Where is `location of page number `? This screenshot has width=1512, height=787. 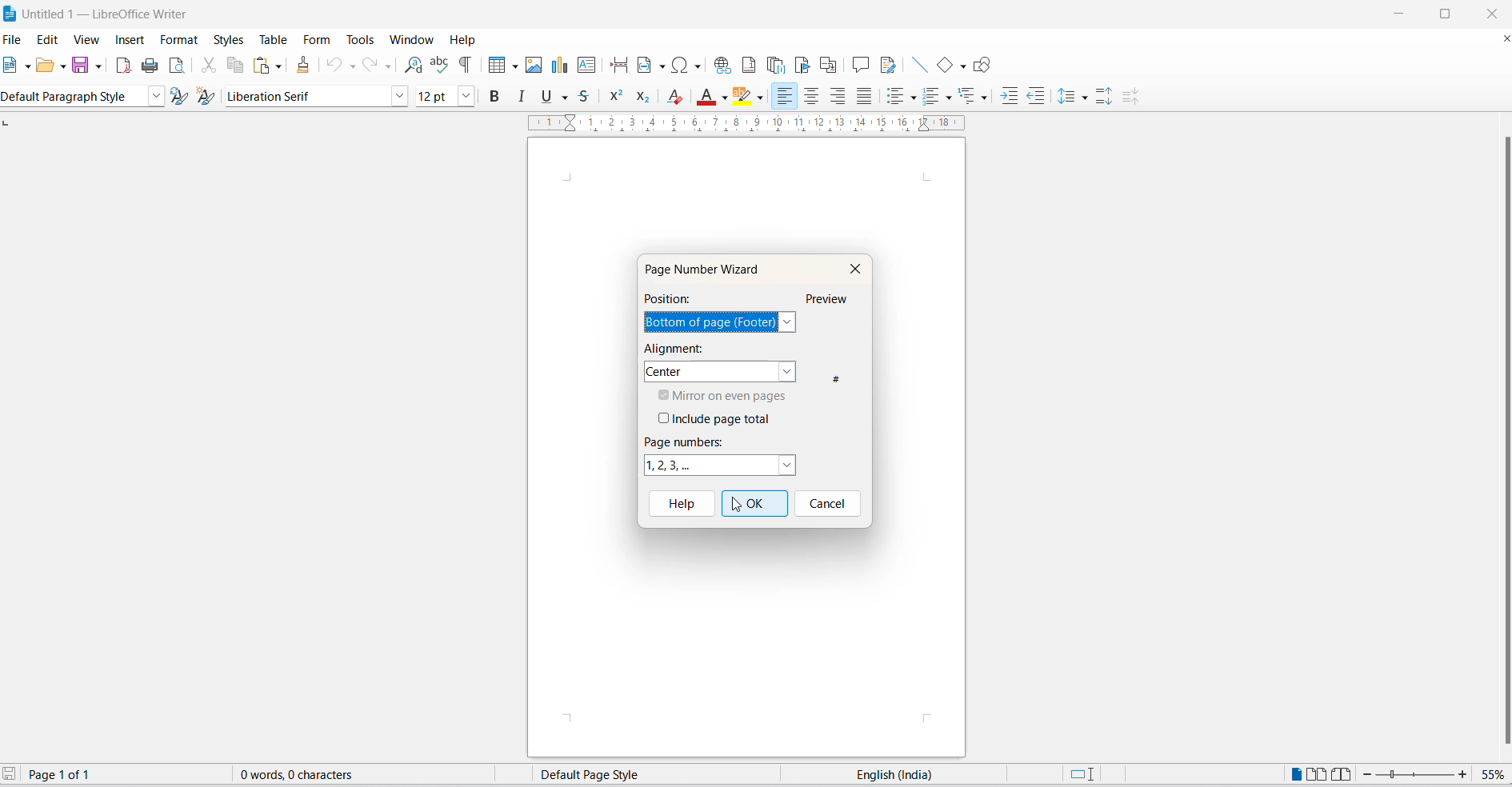 location of page number  is located at coordinates (711, 322).